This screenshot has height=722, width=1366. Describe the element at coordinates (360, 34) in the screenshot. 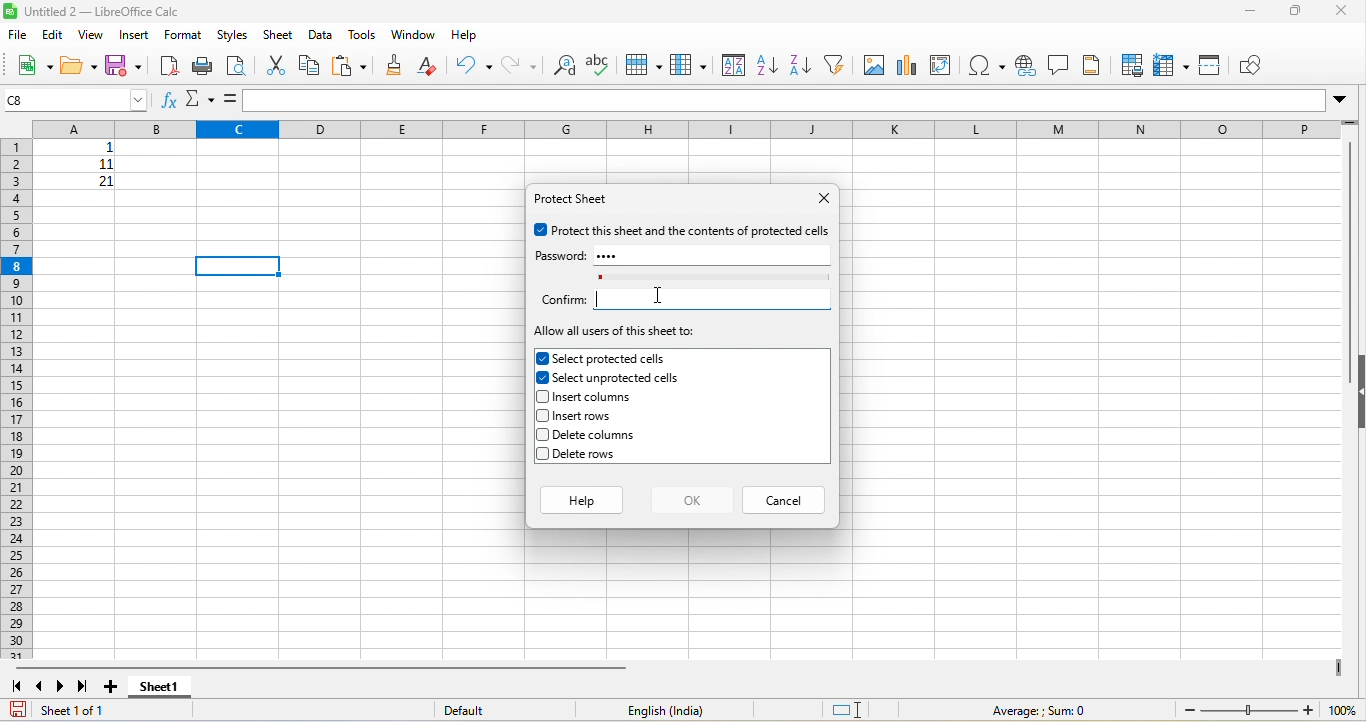

I see `tools` at that location.